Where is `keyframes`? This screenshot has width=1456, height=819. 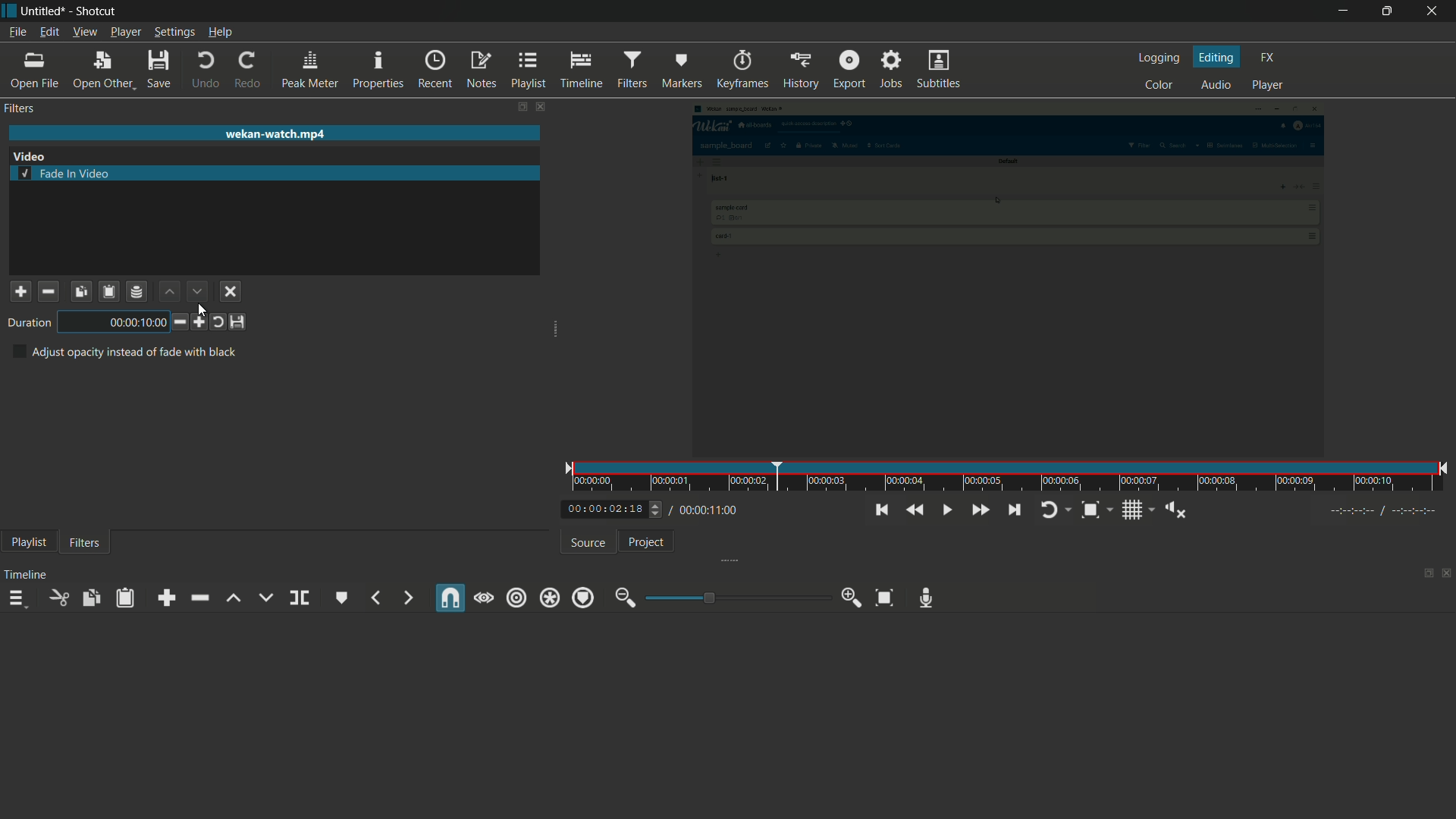 keyframes is located at coordinates (742, 71).